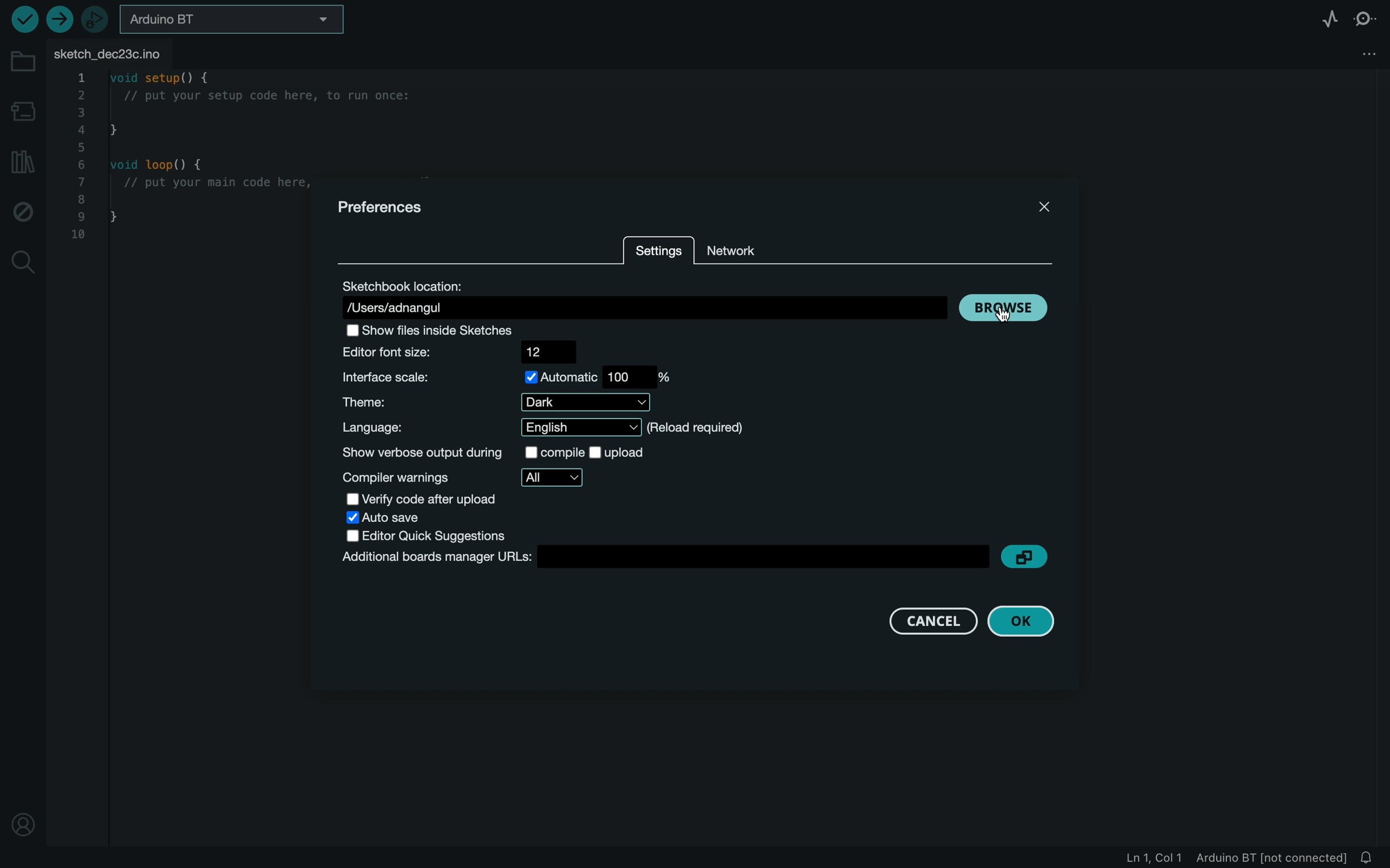 This screenshot has height=868, width=1390. What do you see at coordinates (1365, 57) in the screenshot?
I see `tab settings` at bounding box center [1365, 57].